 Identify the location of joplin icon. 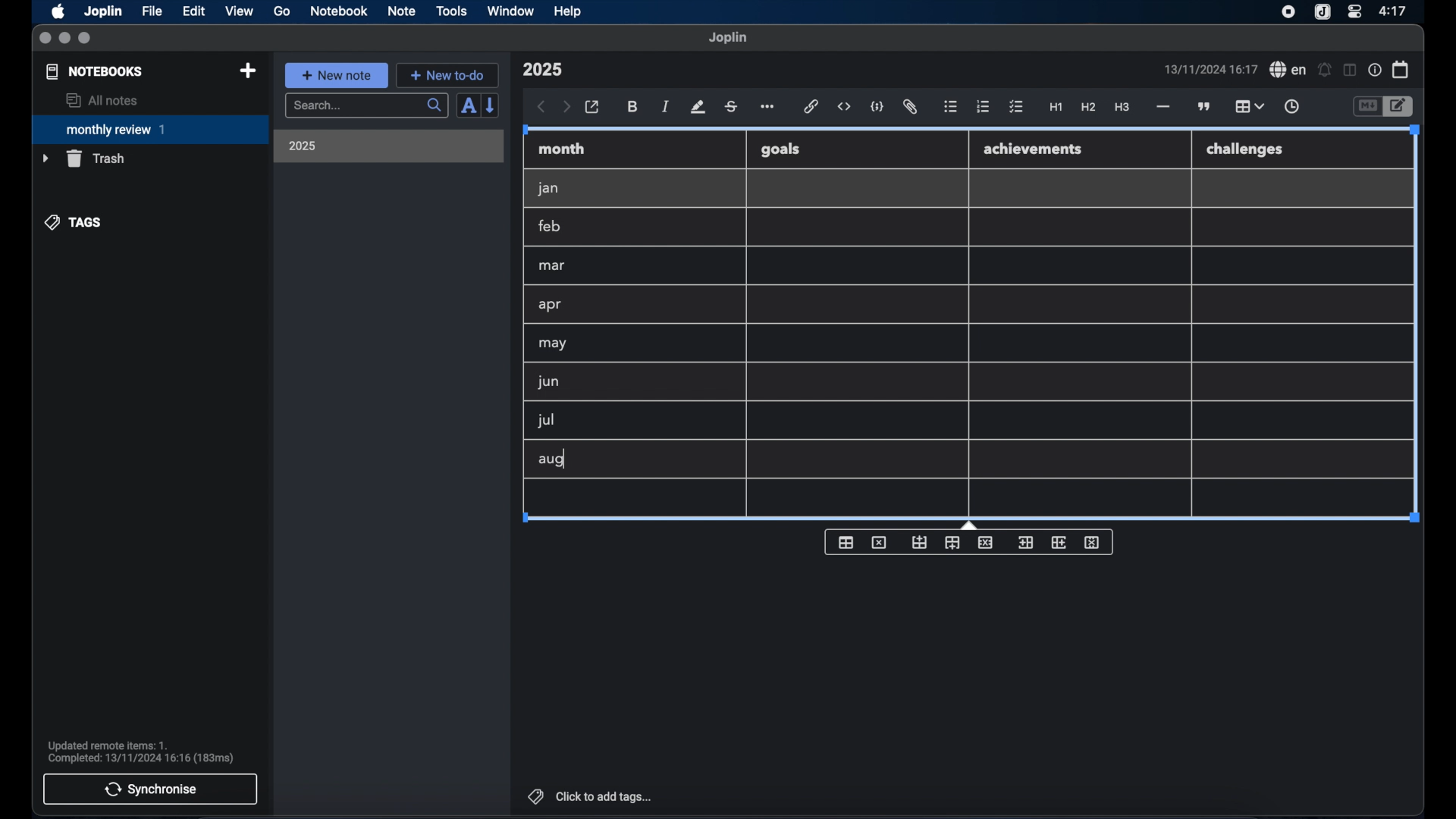
(1321, 13).